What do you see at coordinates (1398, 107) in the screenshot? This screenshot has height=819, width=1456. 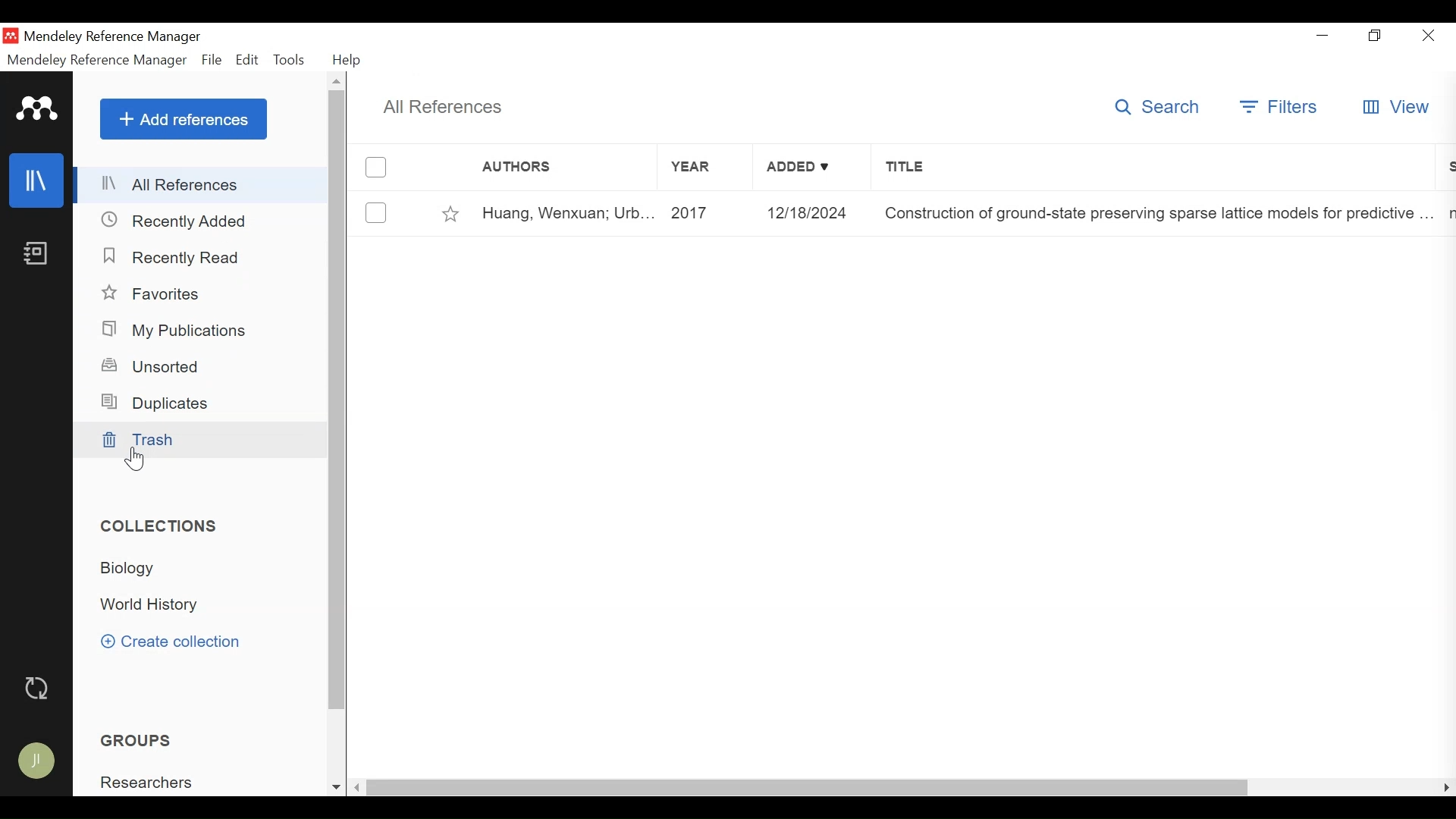 I see `View` at bounding box center [1398, 107].